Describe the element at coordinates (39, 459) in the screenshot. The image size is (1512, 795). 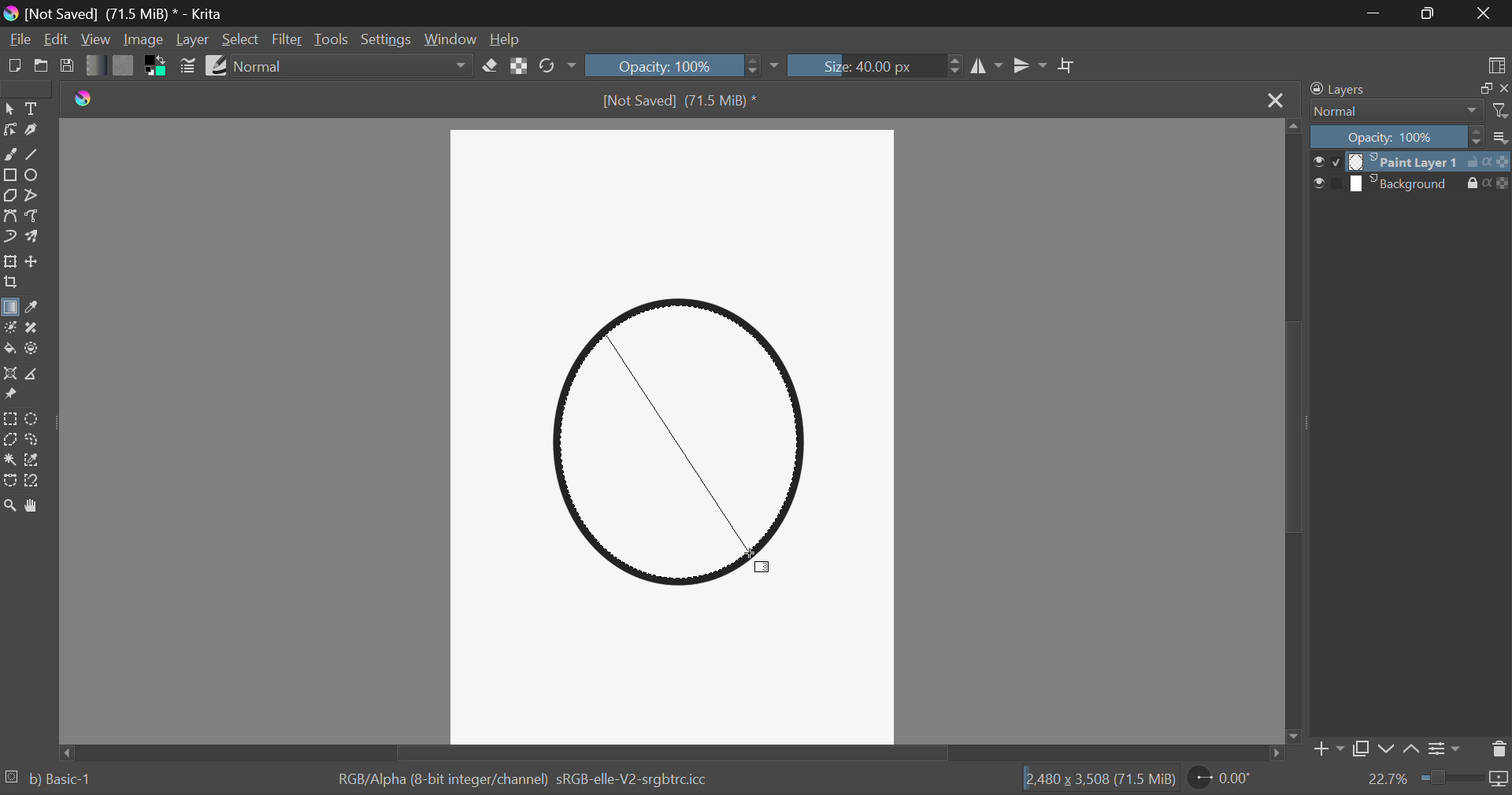
I see `Similar Color Selection` at that location.